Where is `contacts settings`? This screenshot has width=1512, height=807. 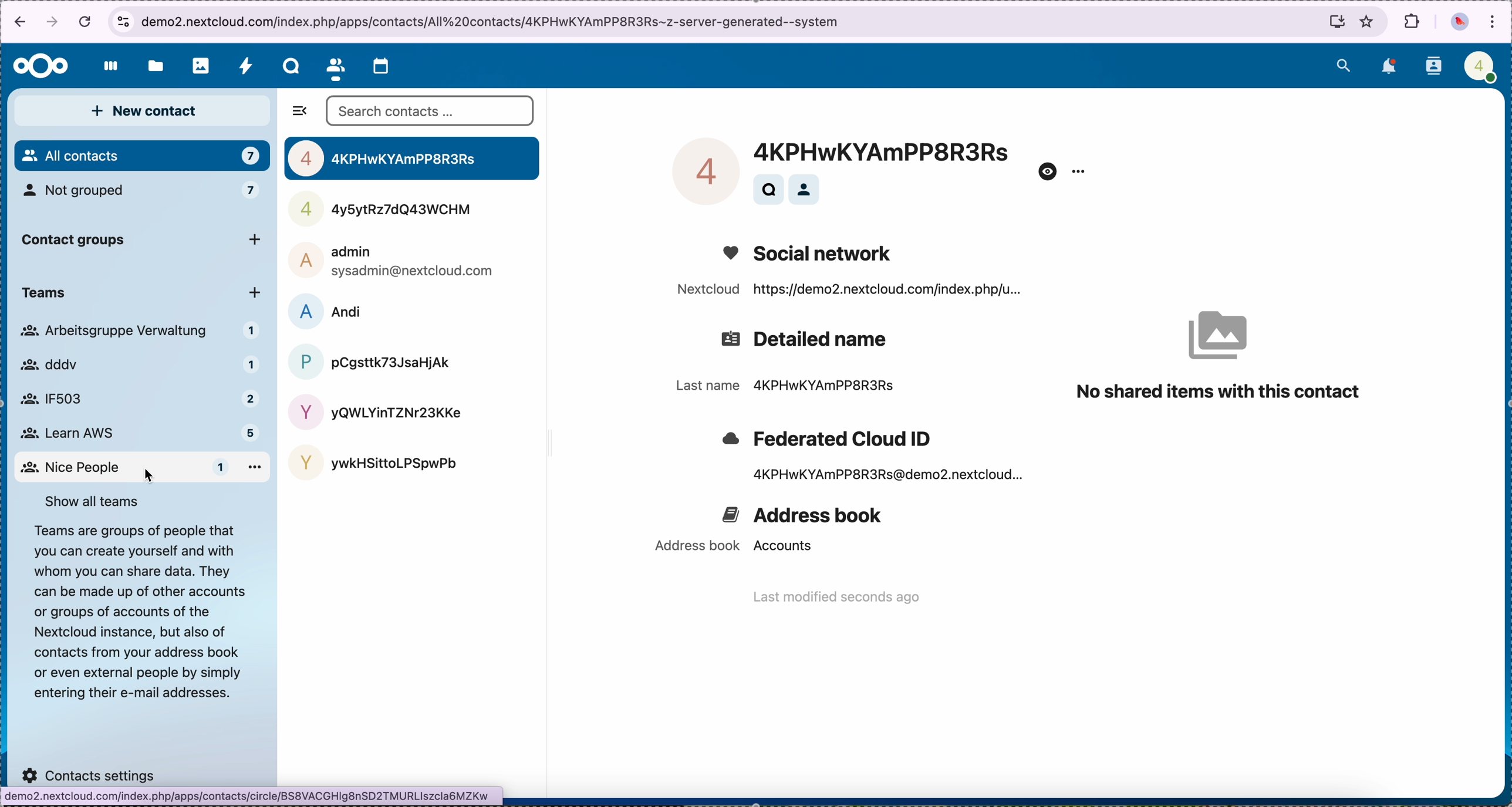 contacts settings is located at coordinates (90, 771).